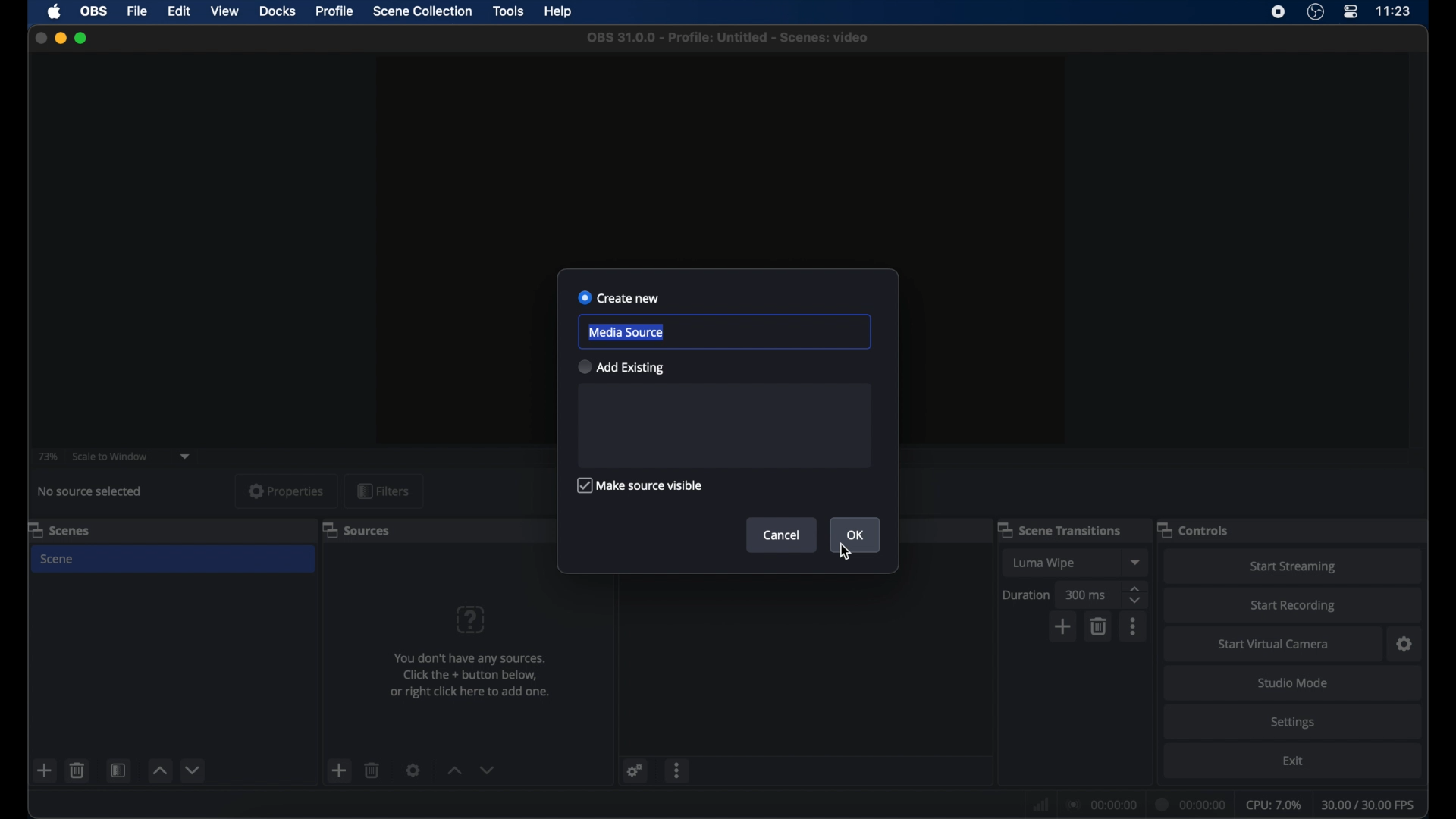  Describe the element at coordinates (1294, 723) in the screenshot. I see `settings` at that location.